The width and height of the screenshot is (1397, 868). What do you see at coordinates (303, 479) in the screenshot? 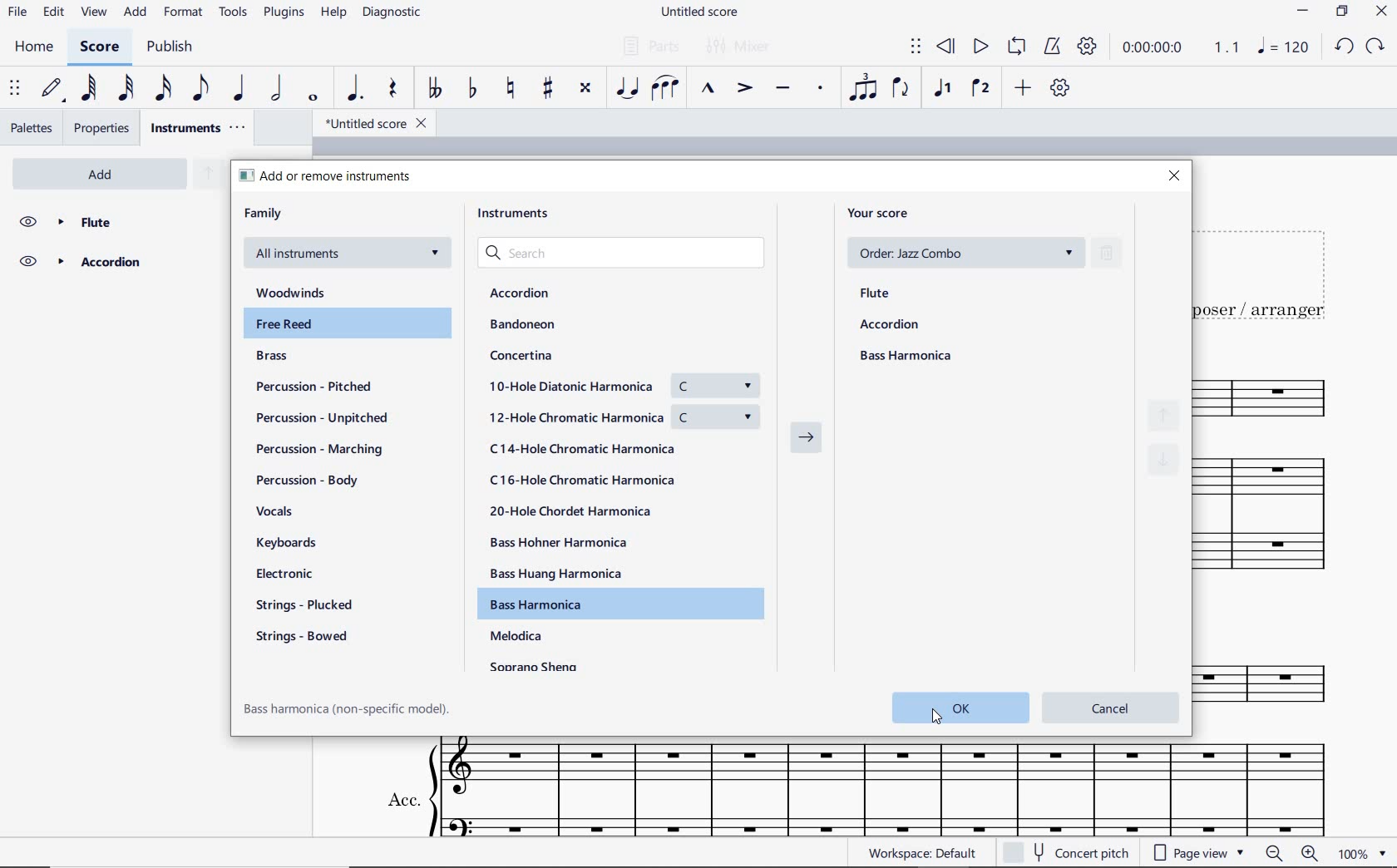
I see `percussion - body` at bounding box center [303, 479].